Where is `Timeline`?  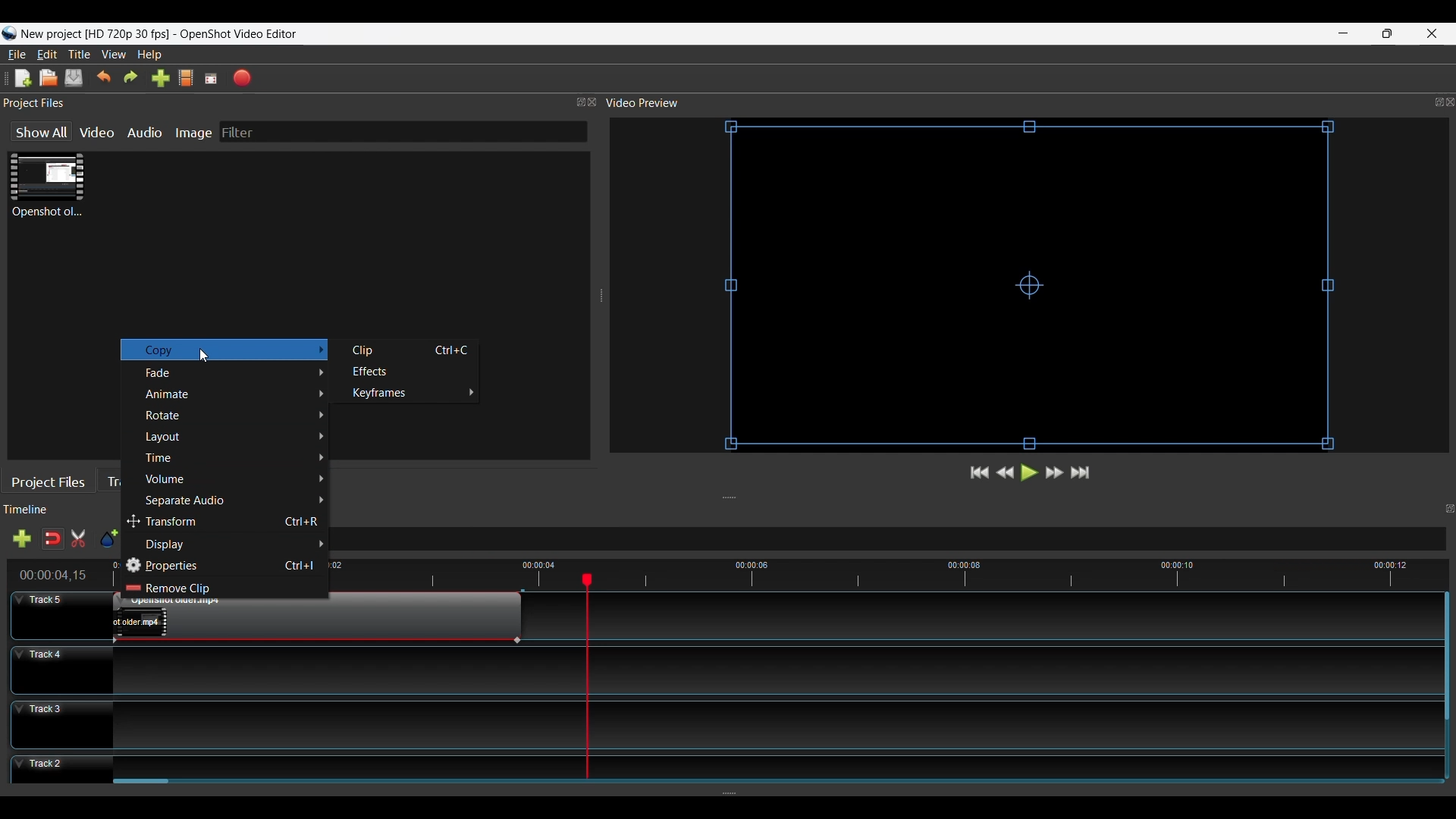 Timeline is located at coordinates (46, 510).